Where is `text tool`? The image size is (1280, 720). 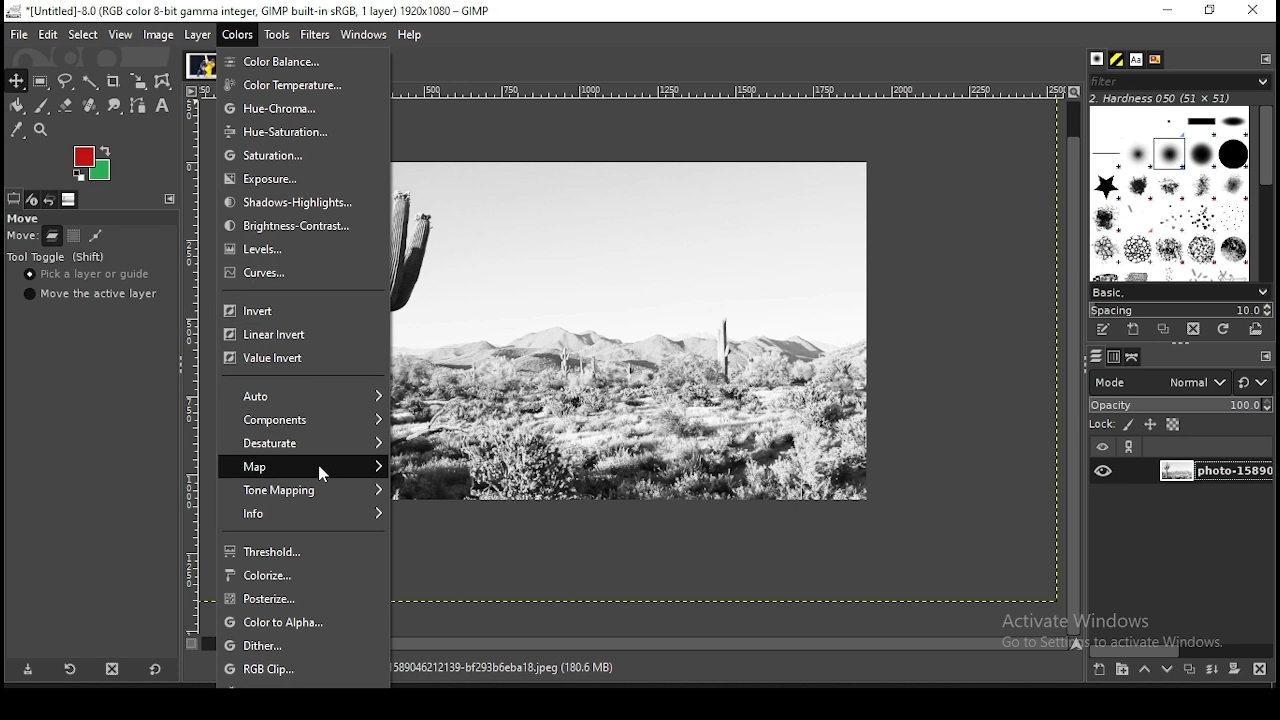 text tool is located at coordinates (164, 106).